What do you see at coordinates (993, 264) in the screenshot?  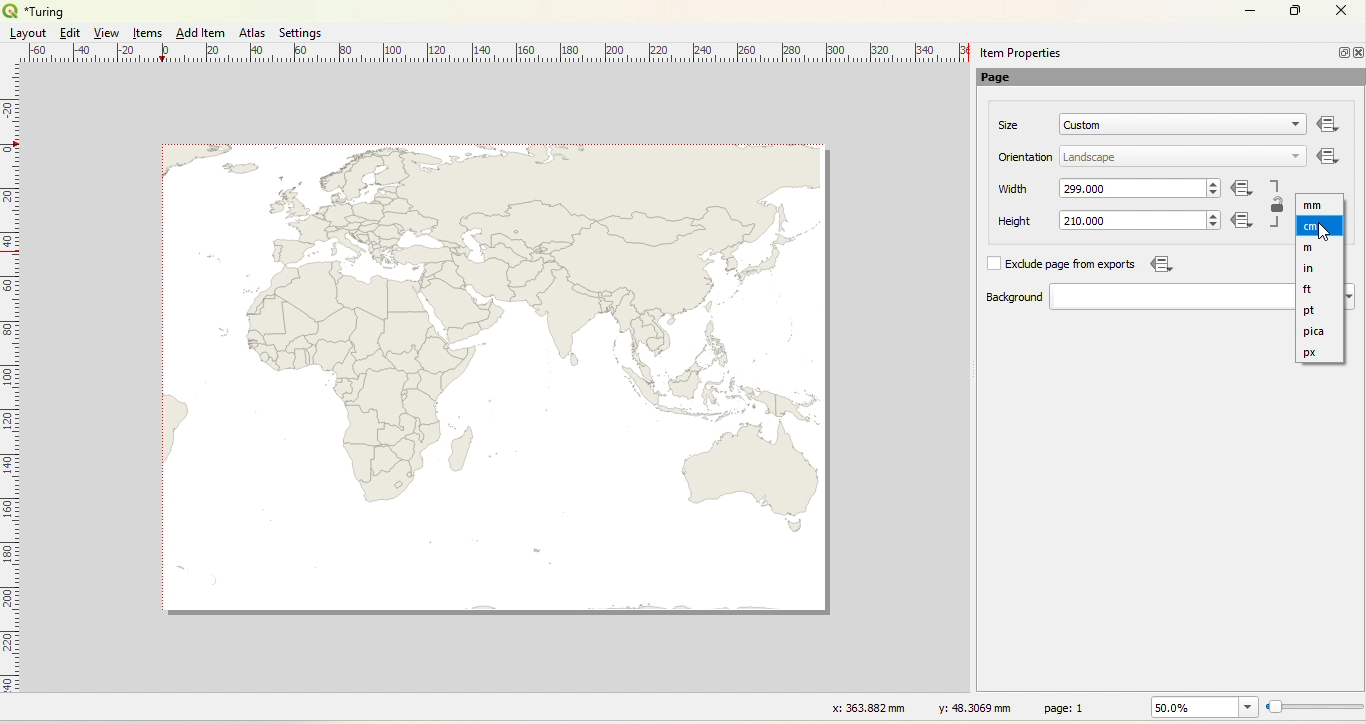 I see `check box` at bounding box center [993, 264].